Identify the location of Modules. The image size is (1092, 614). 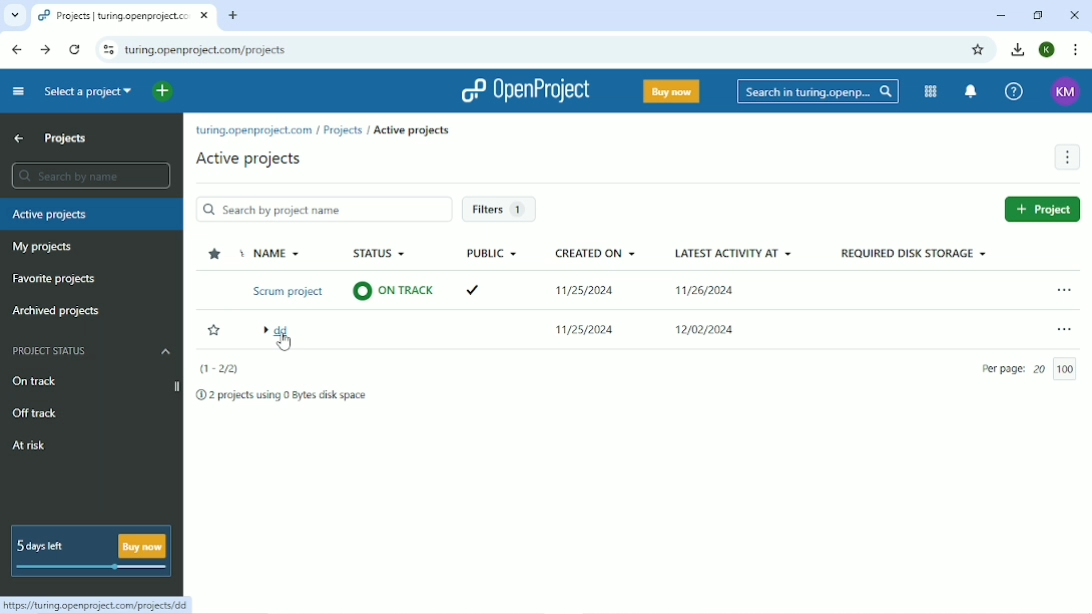
(930, 91).